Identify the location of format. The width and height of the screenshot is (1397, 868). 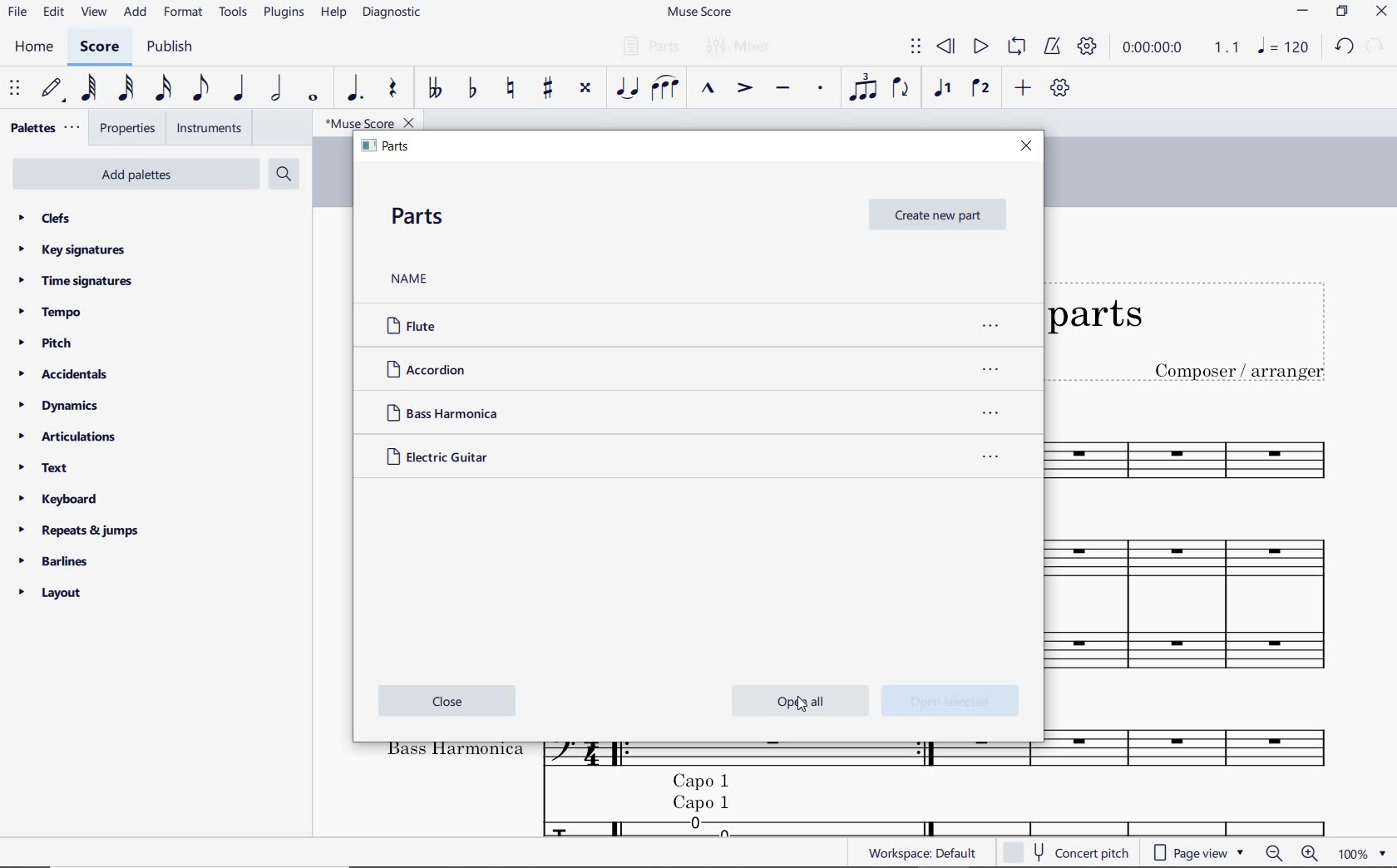
(184, 12).